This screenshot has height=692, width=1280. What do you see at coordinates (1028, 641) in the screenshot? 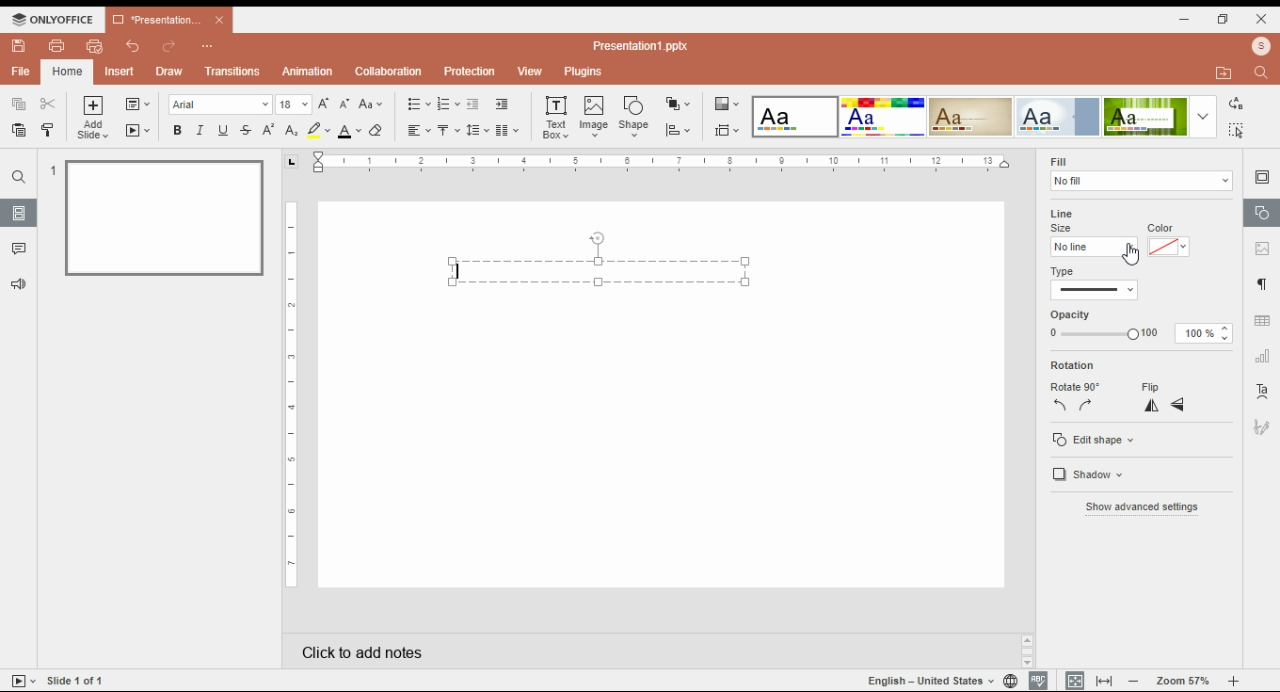
I see `scroll up` at bounding box center [1028, 641].